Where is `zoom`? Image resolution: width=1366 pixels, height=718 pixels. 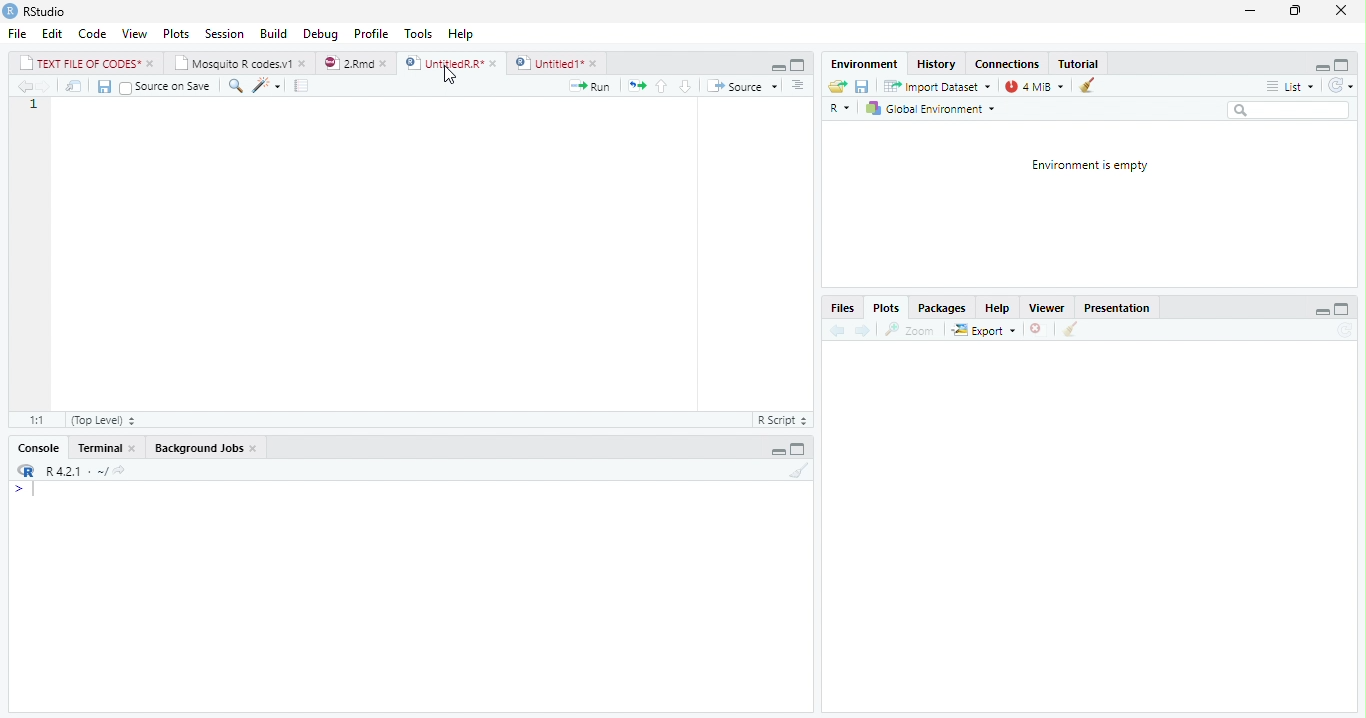 zoom is located at coordinates (914, 330).